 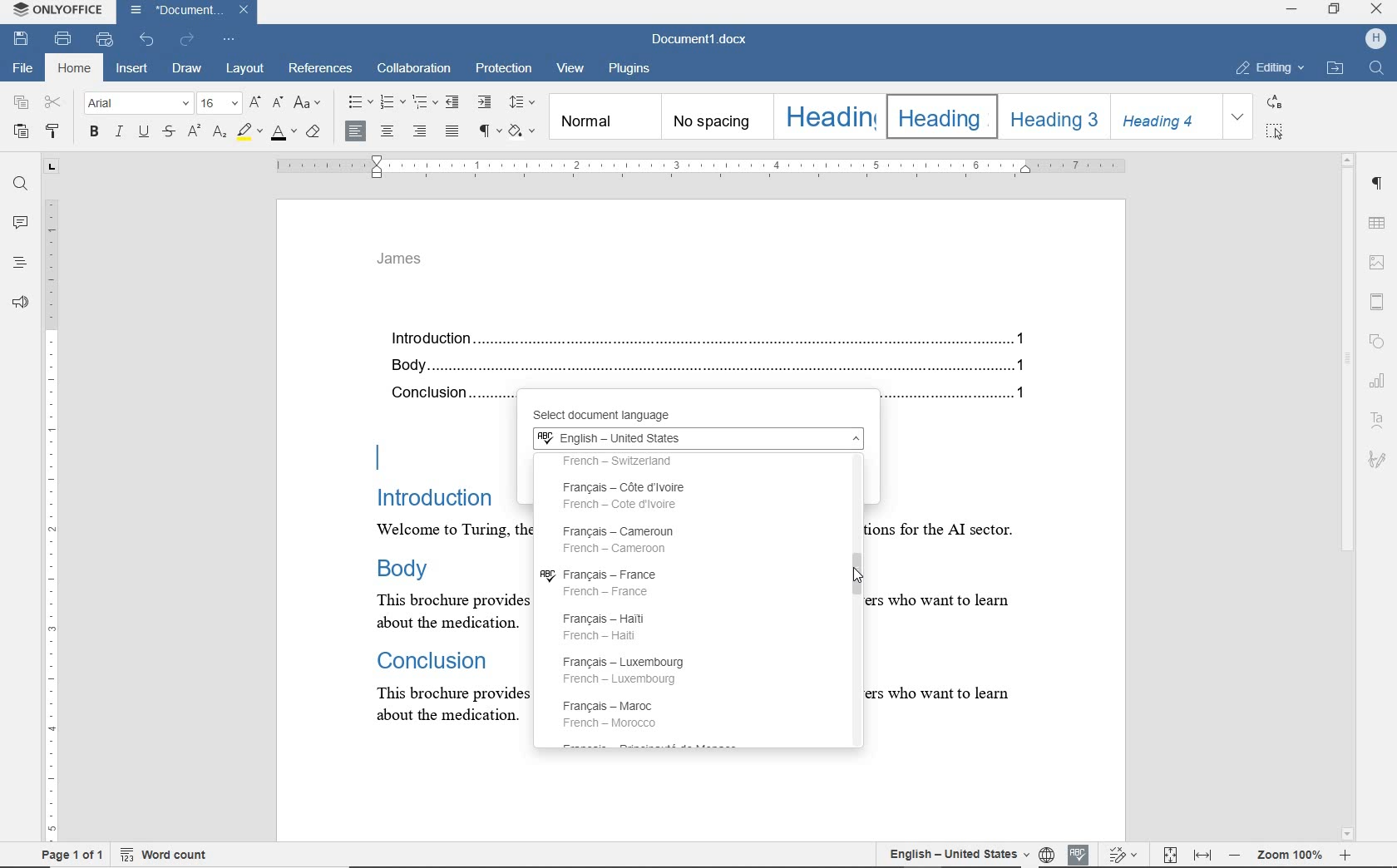 I want to click on select document language, so click(x=625, y=416).